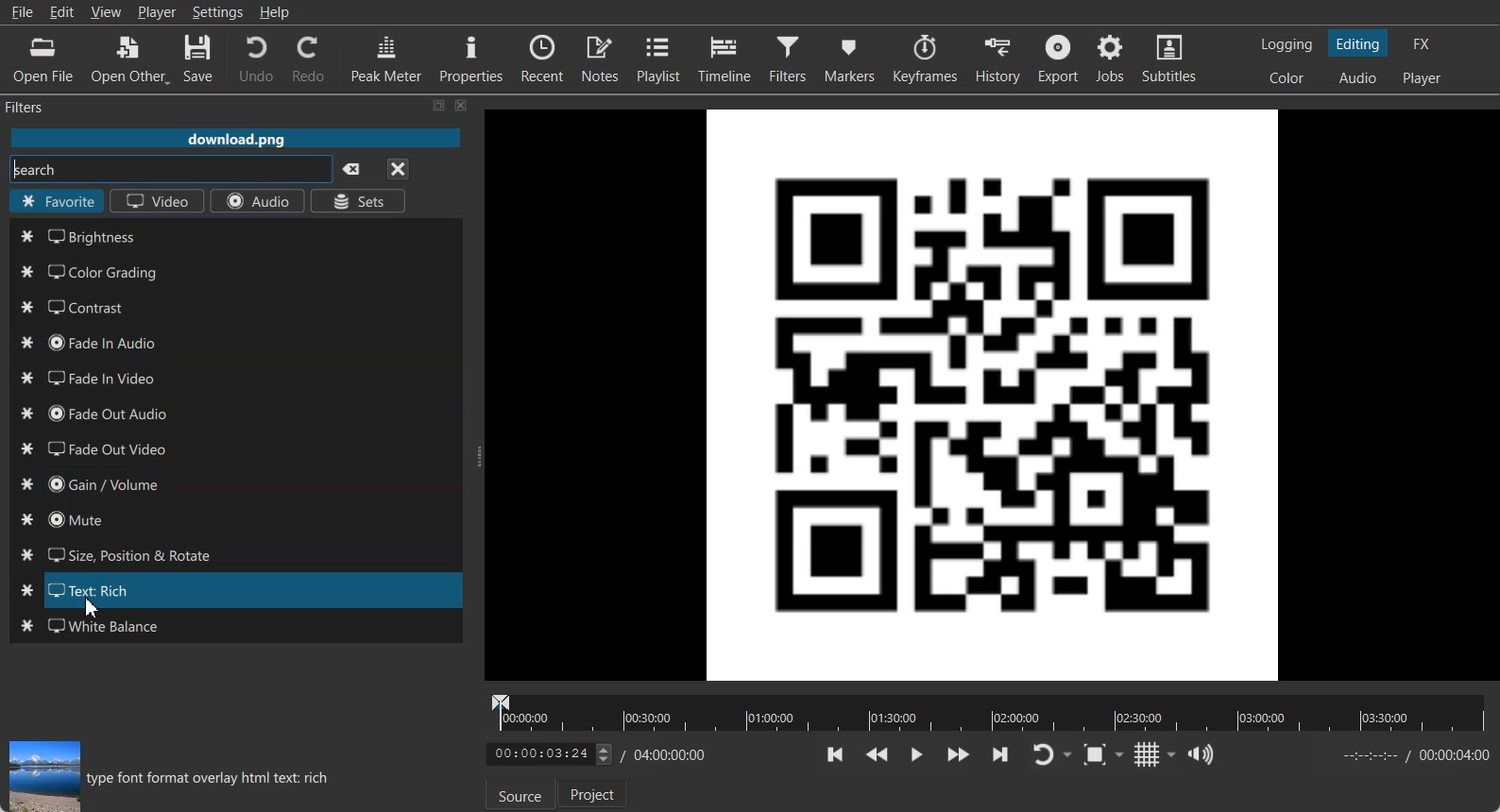  Describe the element at coordinates (1112, 59) in the screenshot. I see `Jobs` at that location.